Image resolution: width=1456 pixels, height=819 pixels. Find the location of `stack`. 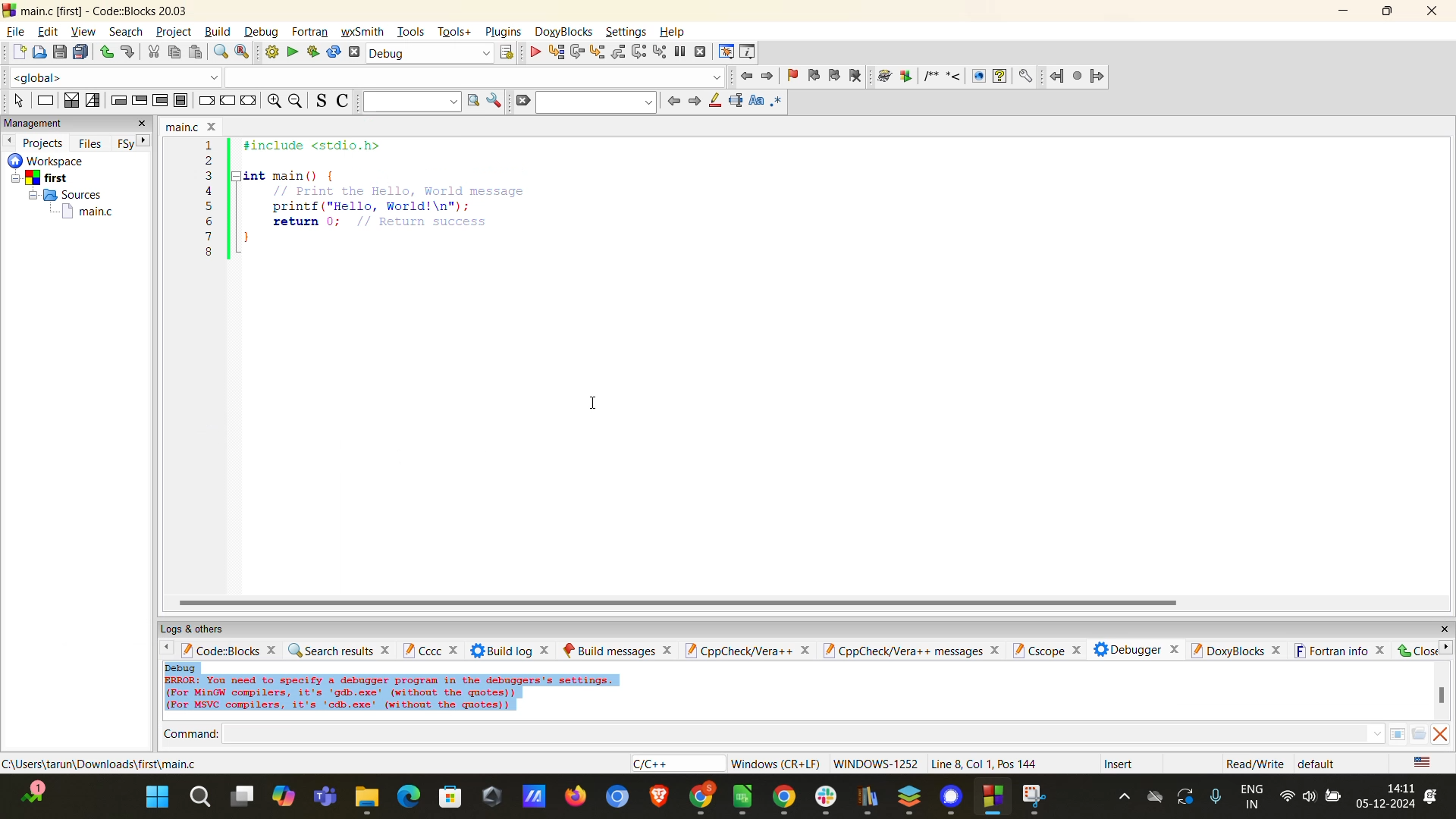

stack is located at coordinates (908, 799).